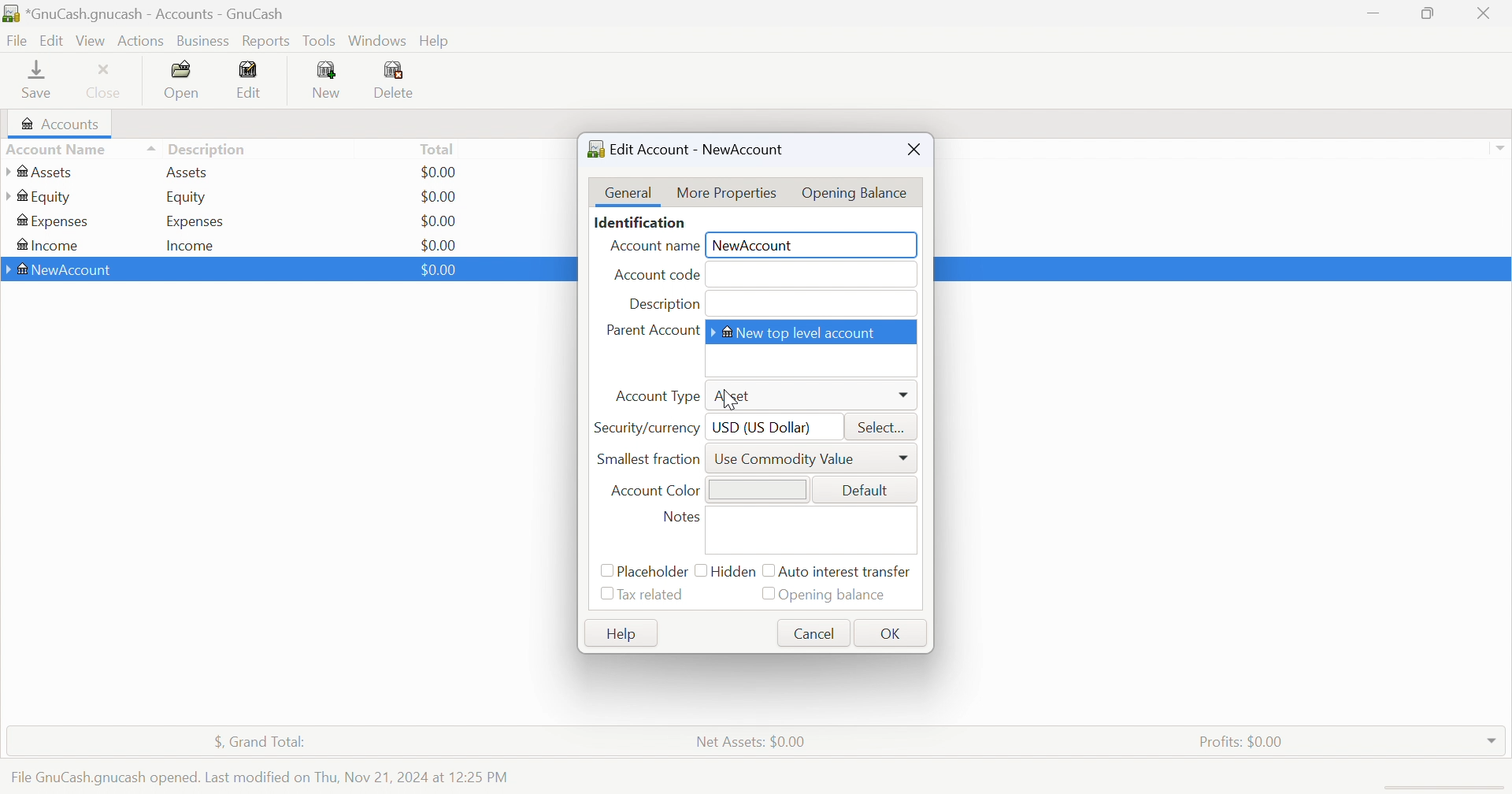 This screenshot has height=794, width=1512. What do you see at coordinates (437, 197) in the screenshot?
I see `$0.00` at bounding box center [437, 197].